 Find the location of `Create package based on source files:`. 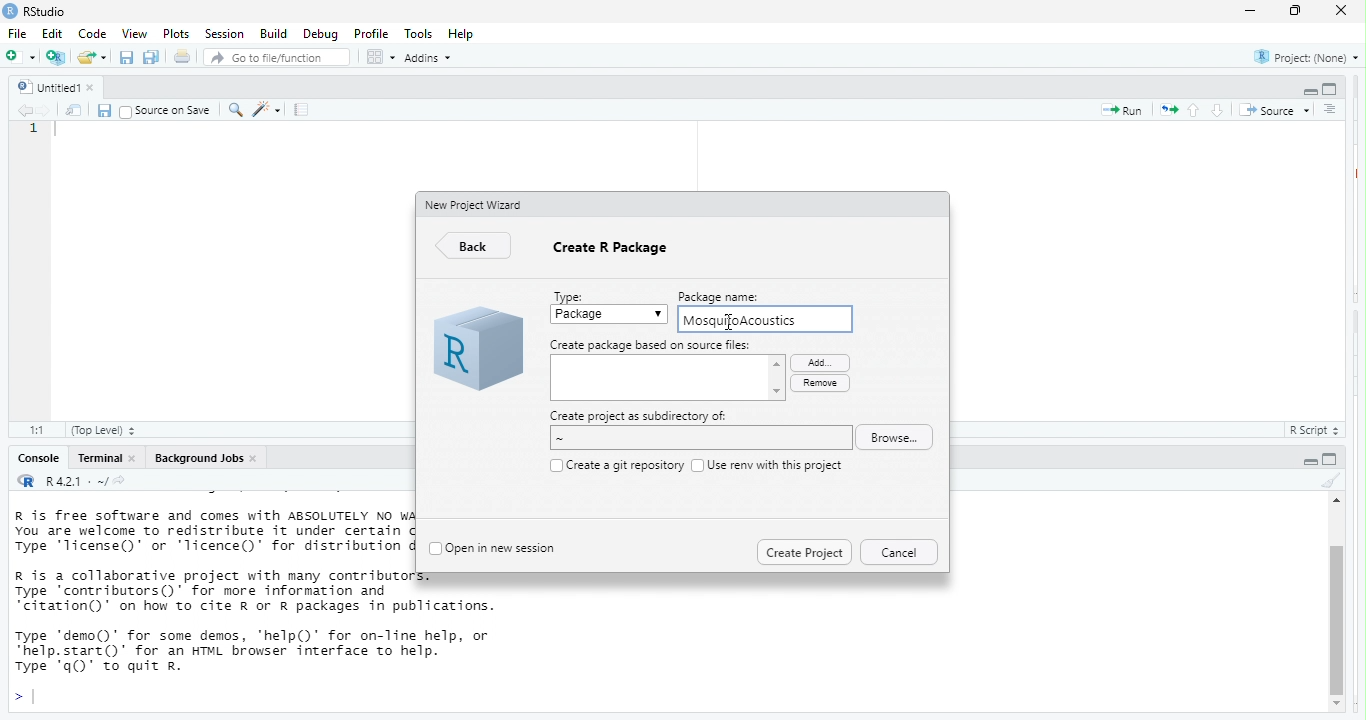

Create package based on source files: is located at coordinates (652, 345).